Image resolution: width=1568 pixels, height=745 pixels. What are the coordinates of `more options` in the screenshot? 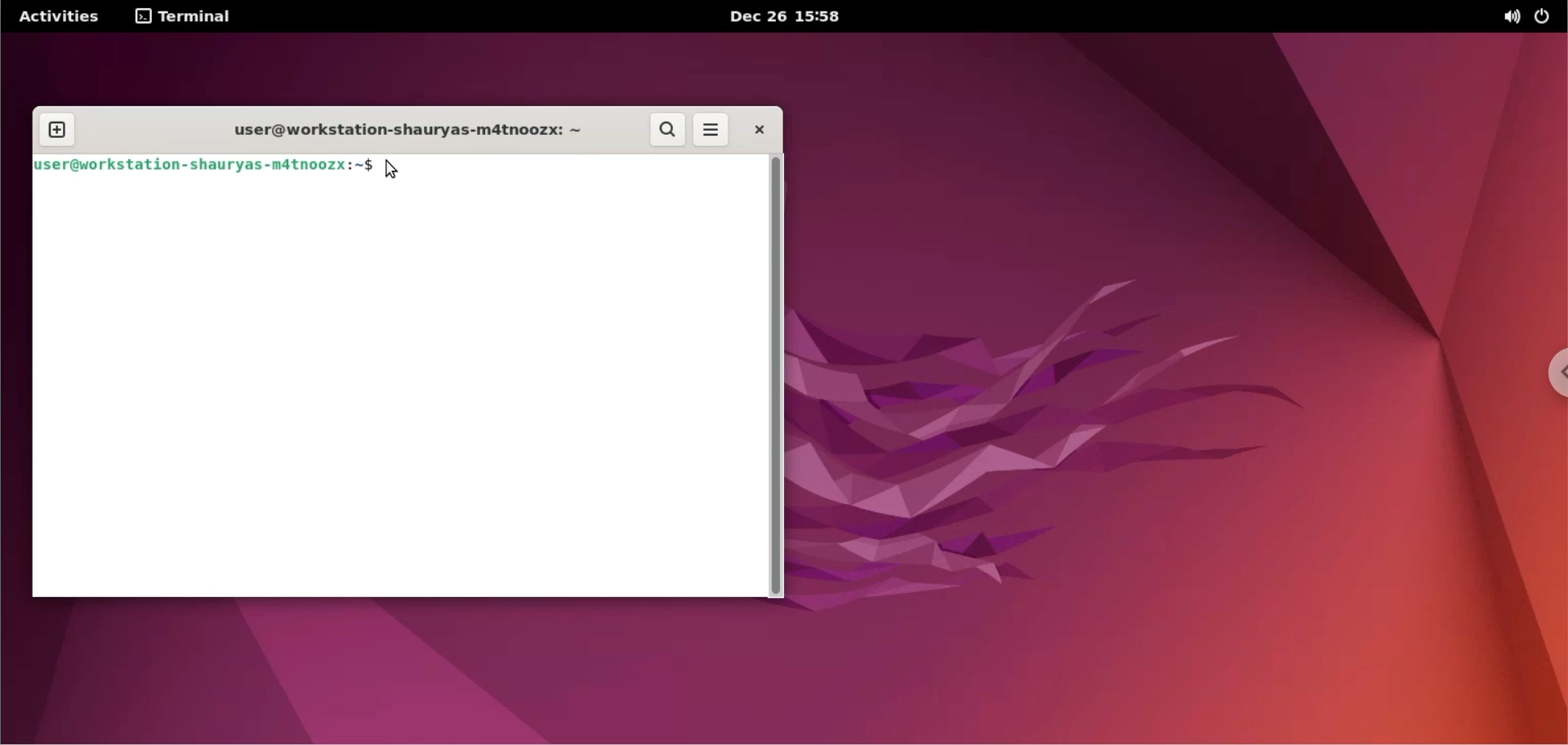 It's located at (709, 131).